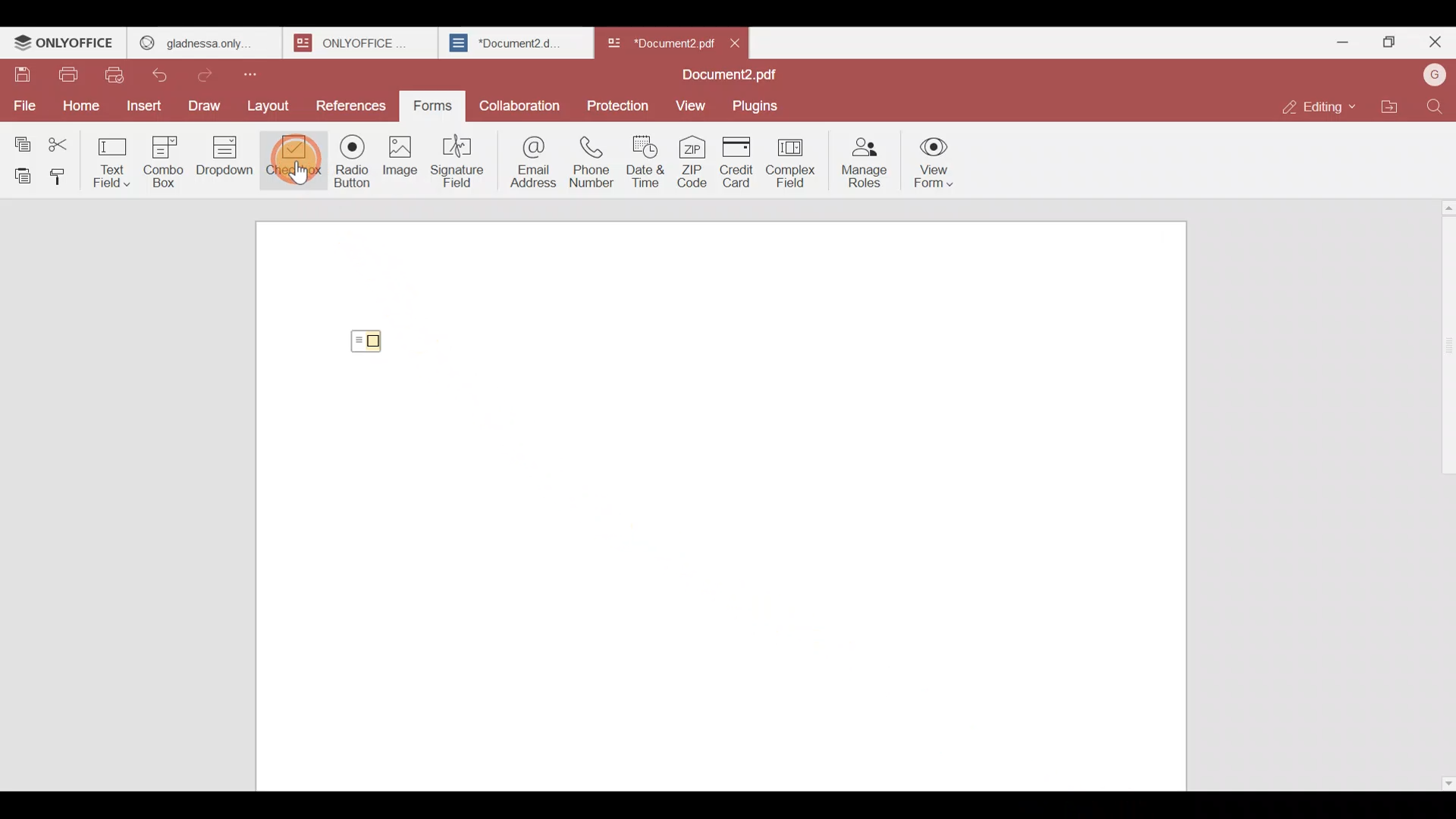  I want to click on ZIP code, so click(692, 163).